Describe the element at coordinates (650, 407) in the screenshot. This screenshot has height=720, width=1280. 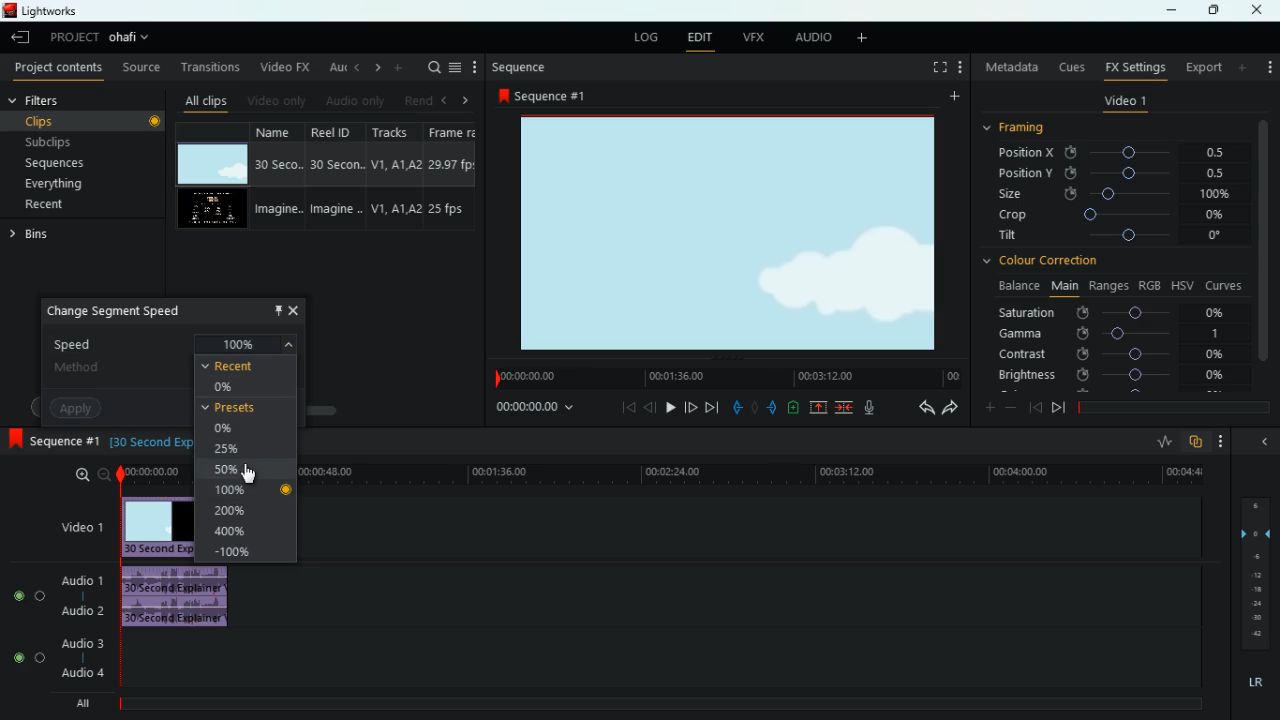
I see `back` at that location.